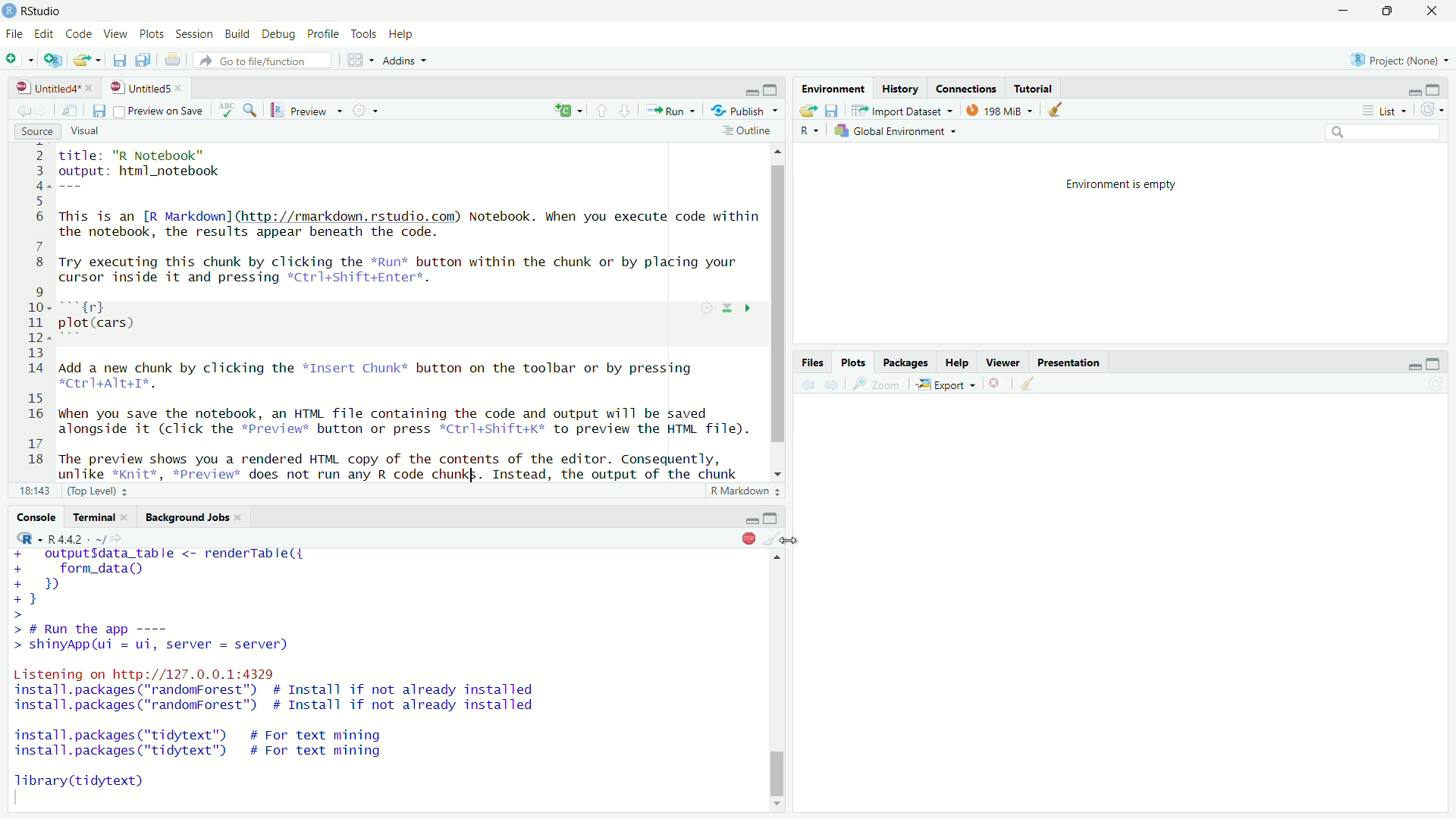 The image size is (1456, 819). Describe the element at coordinates (100, 517) in the screenshot. I see `Terminal` at that location.